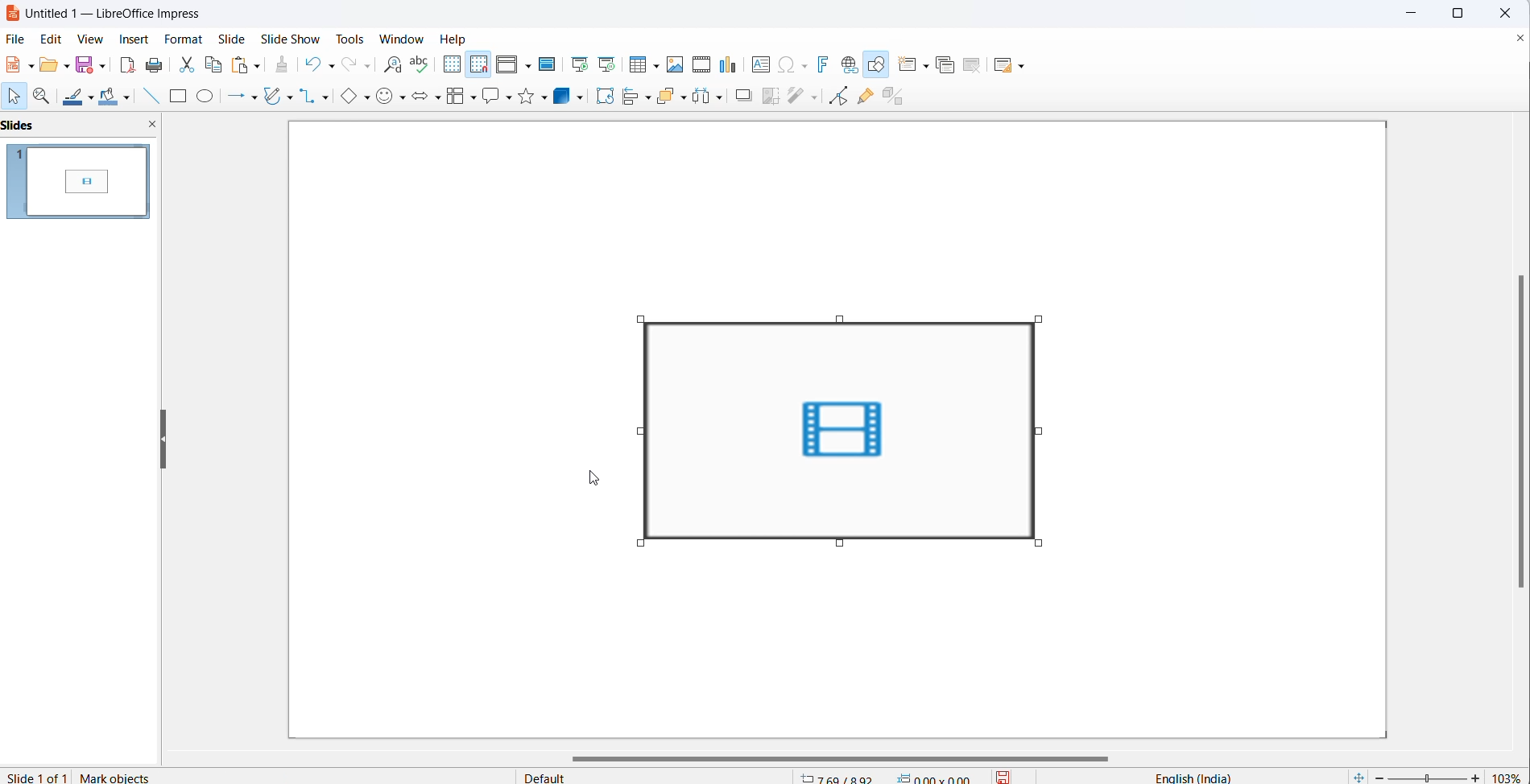 The image size is (1530, 784). I want to click on selection markup, so click(638, 431).